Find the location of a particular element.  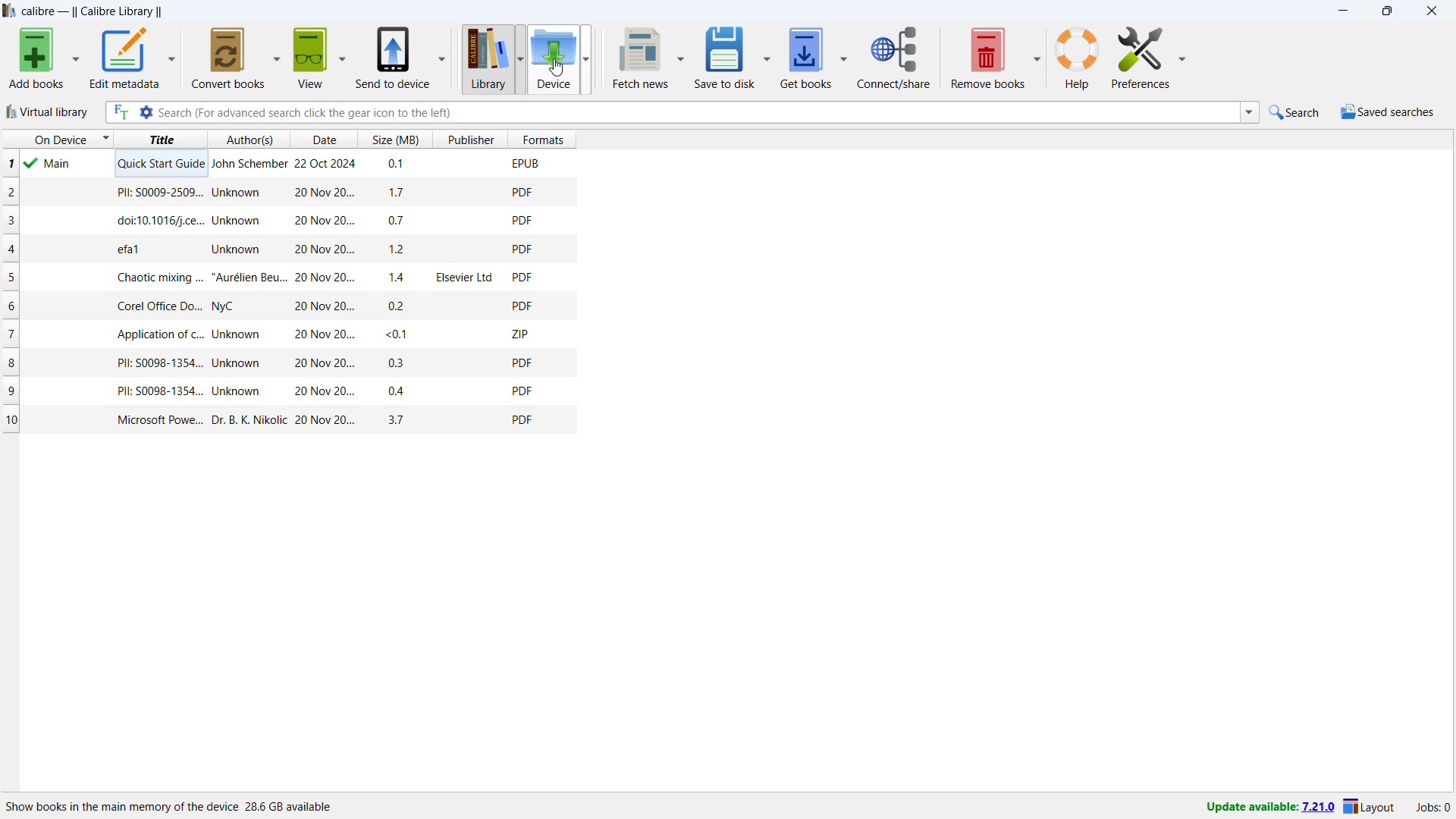

minimize is located at coordinates (1342, 11).